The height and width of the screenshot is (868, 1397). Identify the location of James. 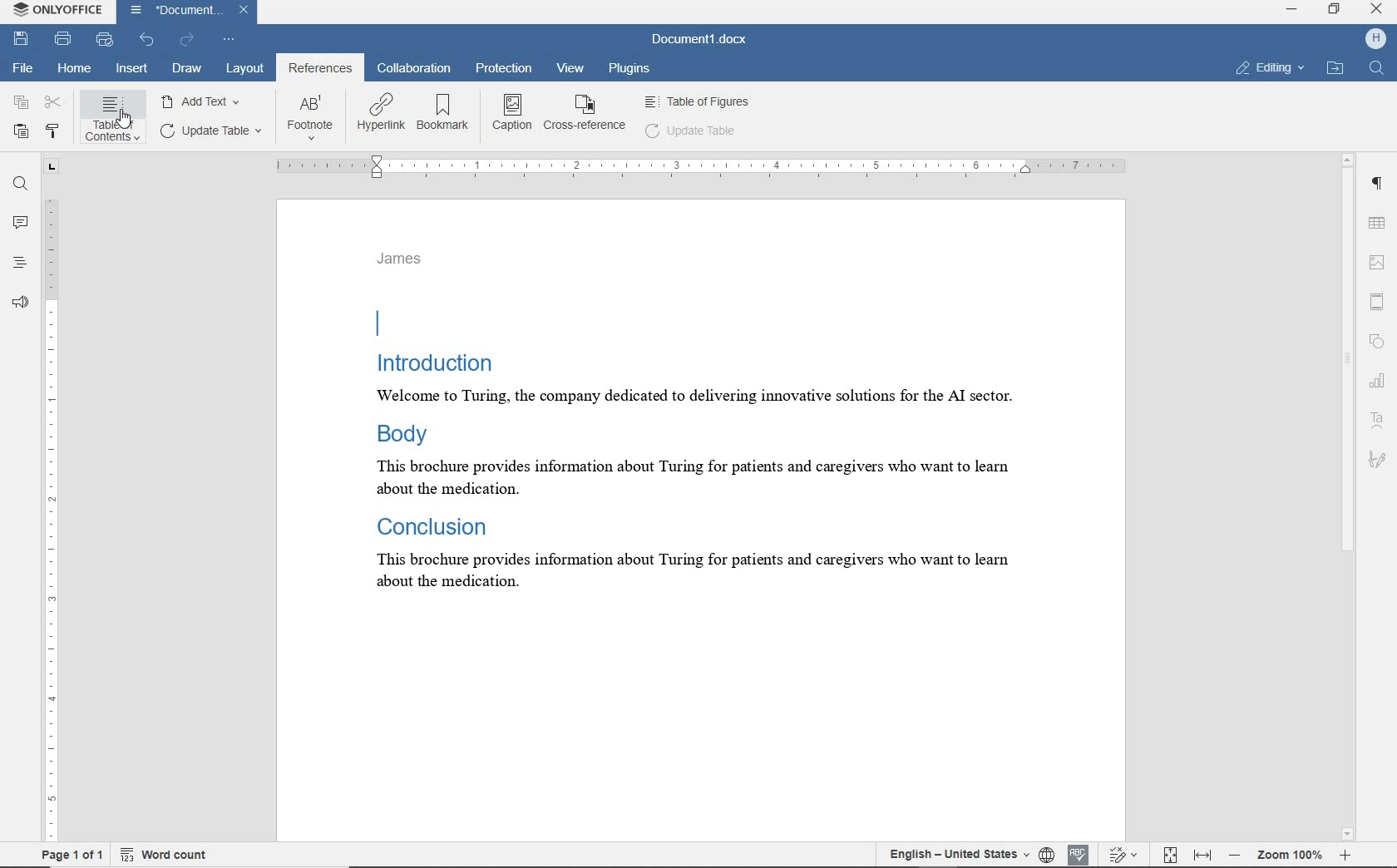
(402, 259).